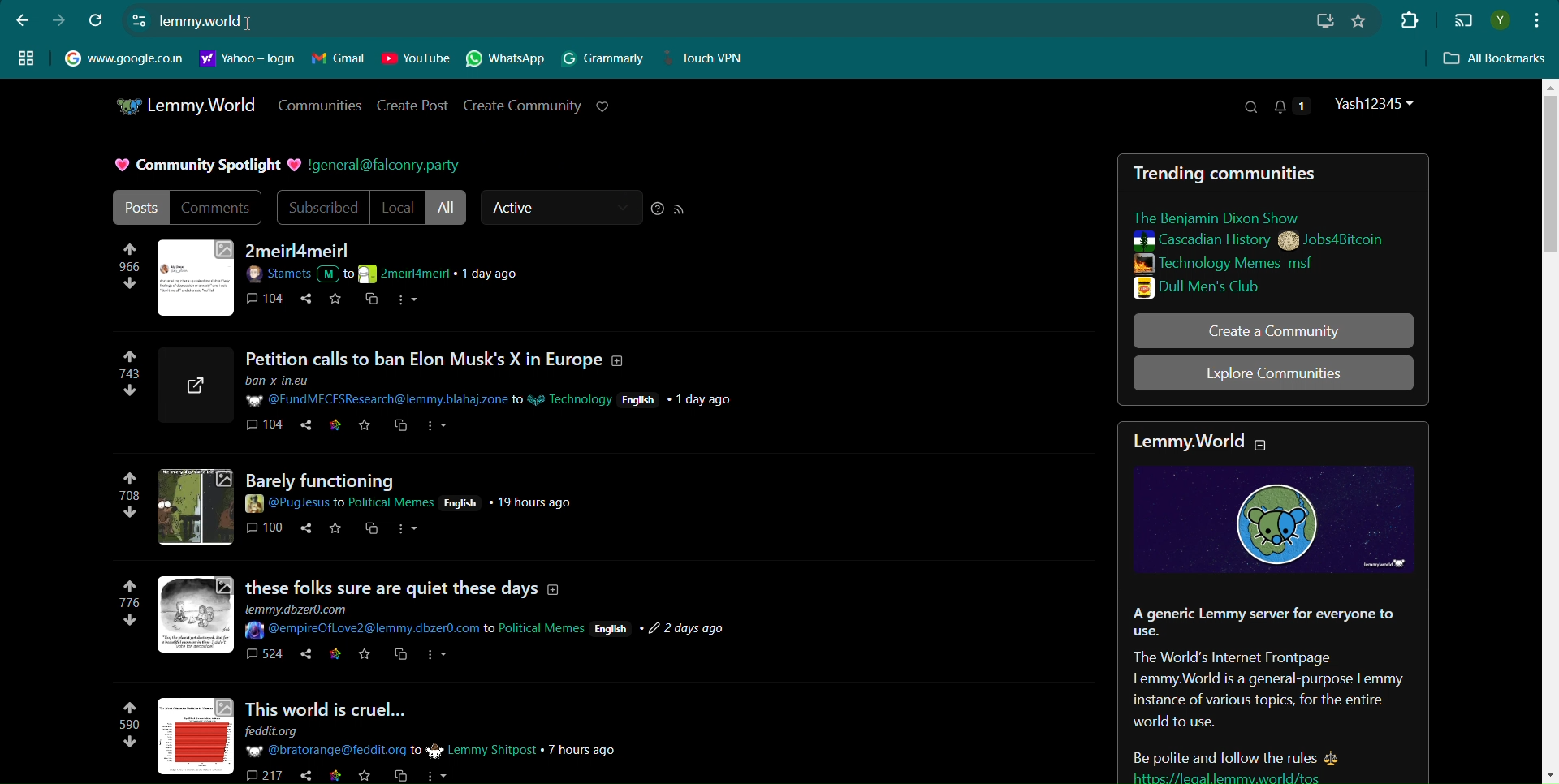  I want to click on 776, so click(132, 610).